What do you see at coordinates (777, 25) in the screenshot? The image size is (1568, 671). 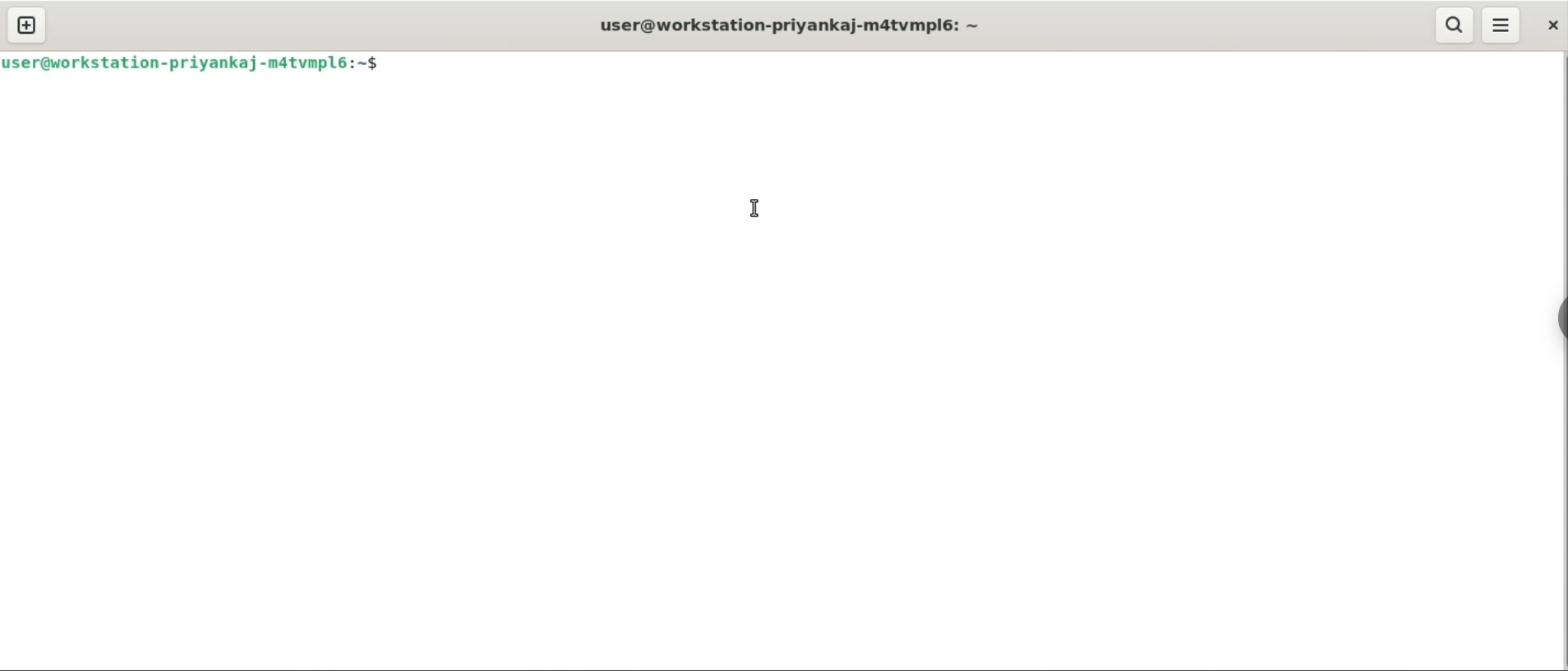 I see `user@workstation-priyankaj-m4tvmpl6: ~` at bounding box center [777, 25].